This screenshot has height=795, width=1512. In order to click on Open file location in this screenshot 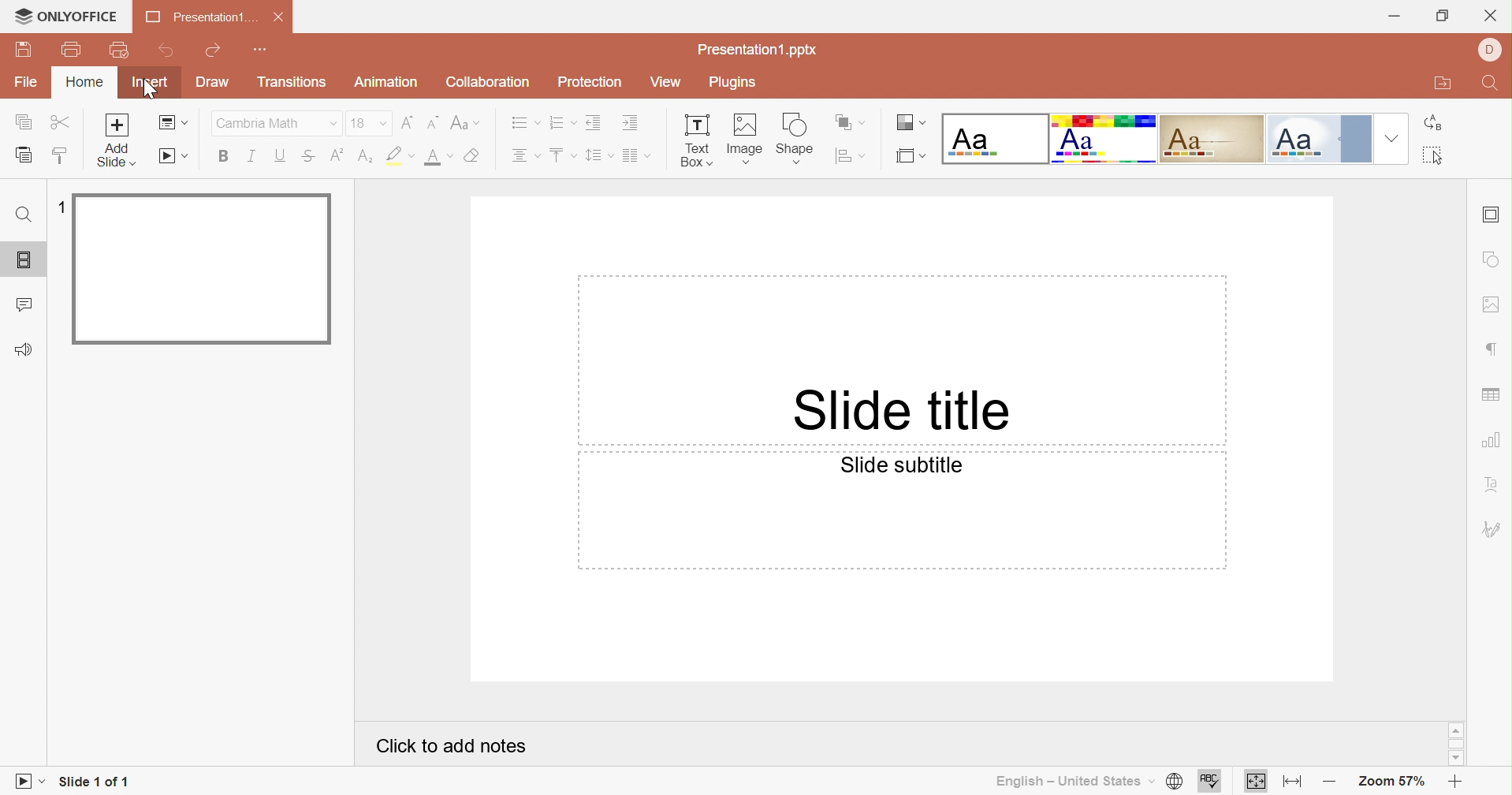, I will do `click(1443, 86)`.